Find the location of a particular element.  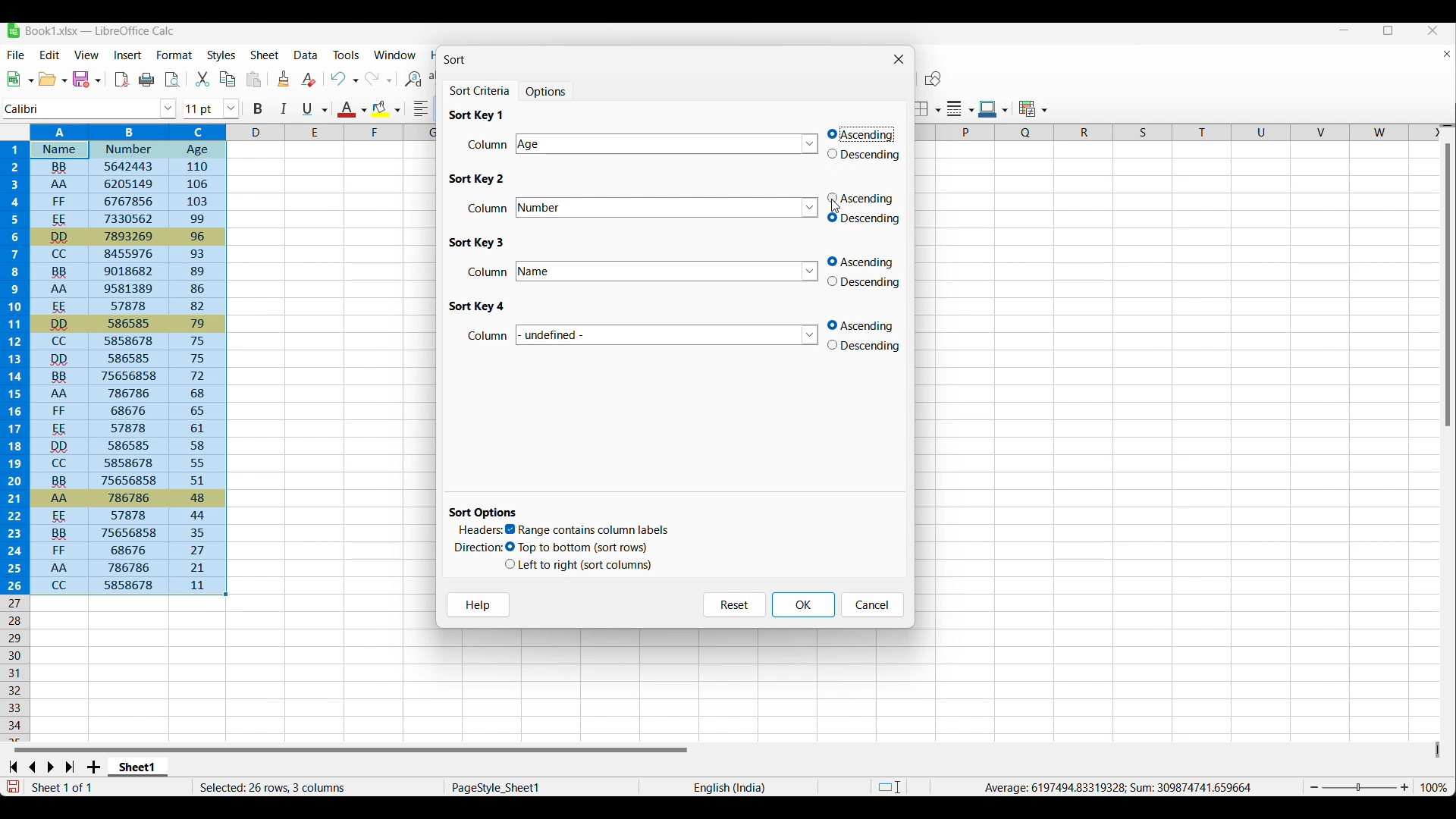

Go to first sheet is located at coordinates (12, 767).